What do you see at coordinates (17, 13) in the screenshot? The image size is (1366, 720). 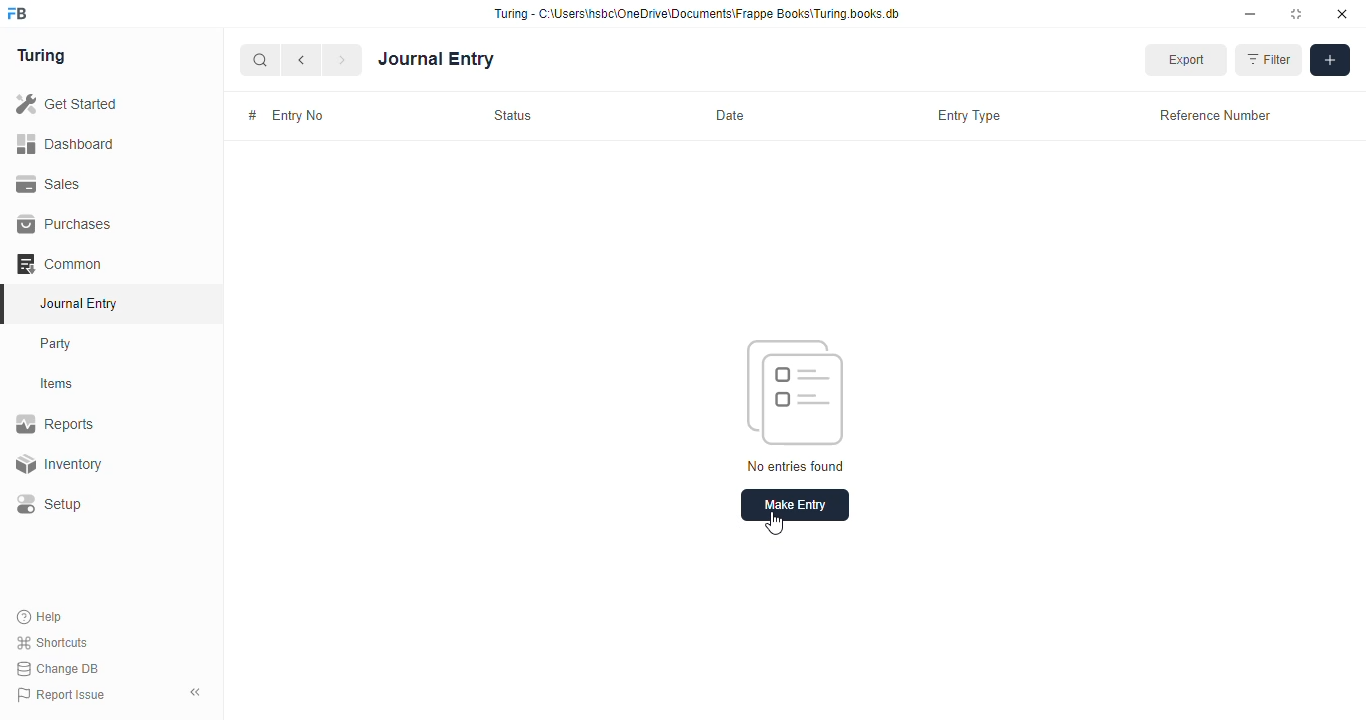 I see `FB - logo` at bounding box center [17, 13].